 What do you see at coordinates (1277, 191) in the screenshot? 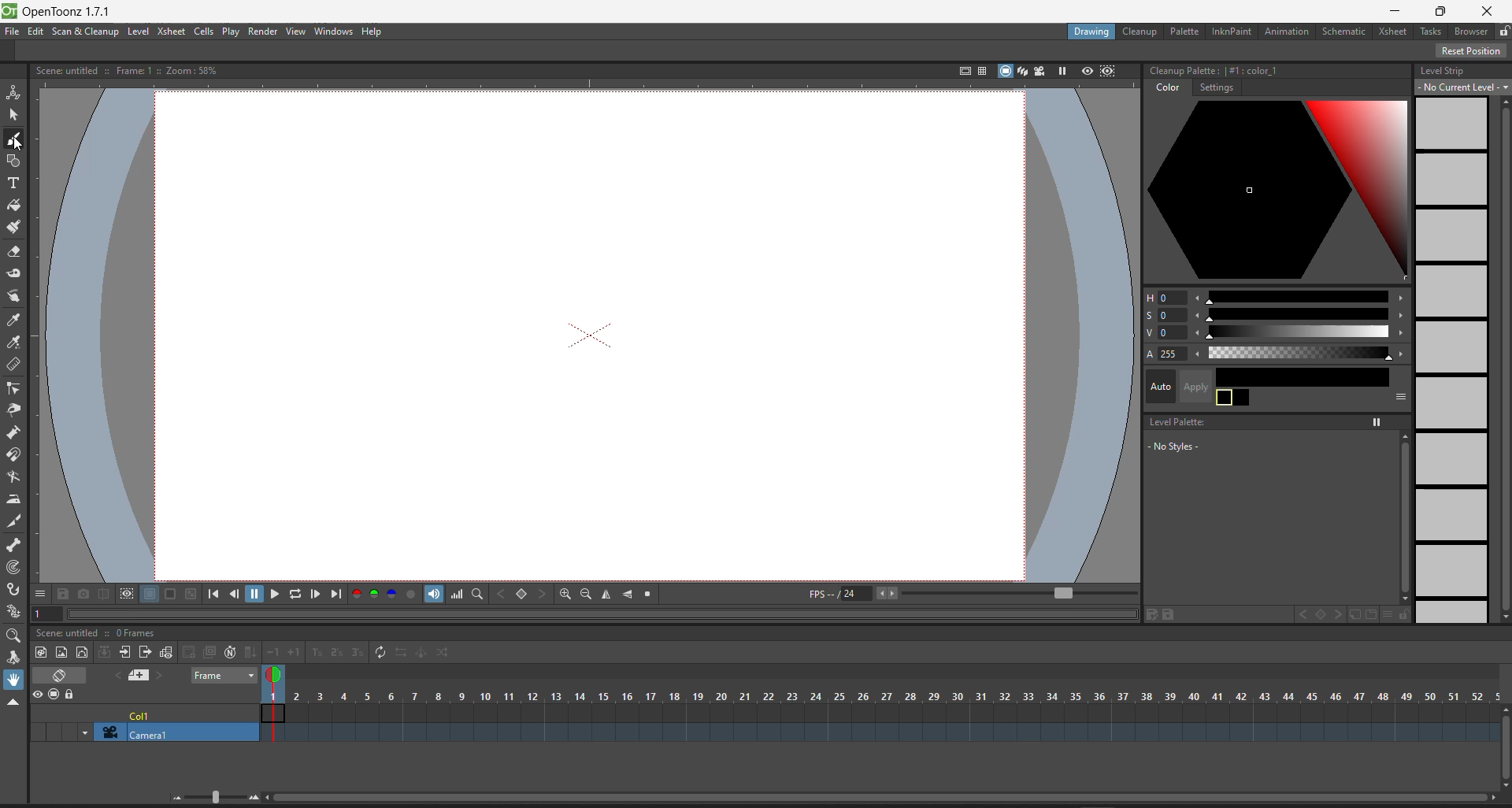
I see `cleanup palette` at bounding box center [1277, 191].